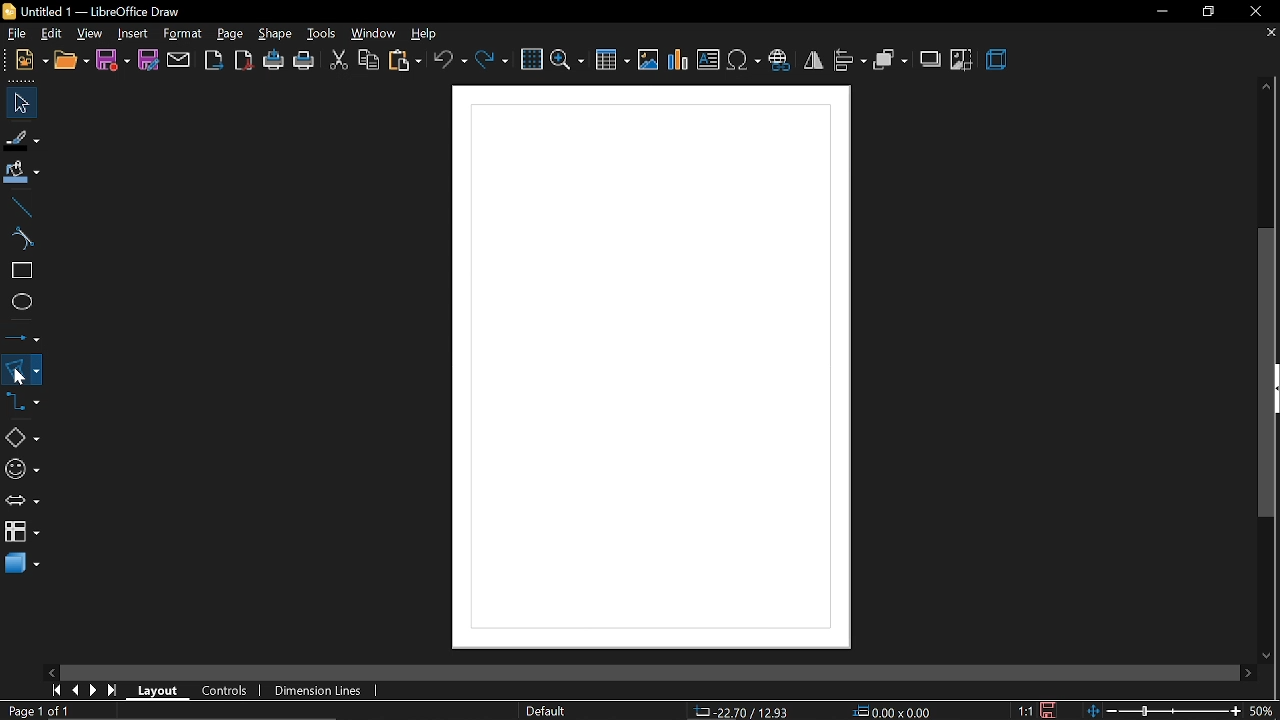 This screenshot has height=720, width=1280. Describe the element at coordinates (23, 407) in the screenshot. I see `connectors` at that location.